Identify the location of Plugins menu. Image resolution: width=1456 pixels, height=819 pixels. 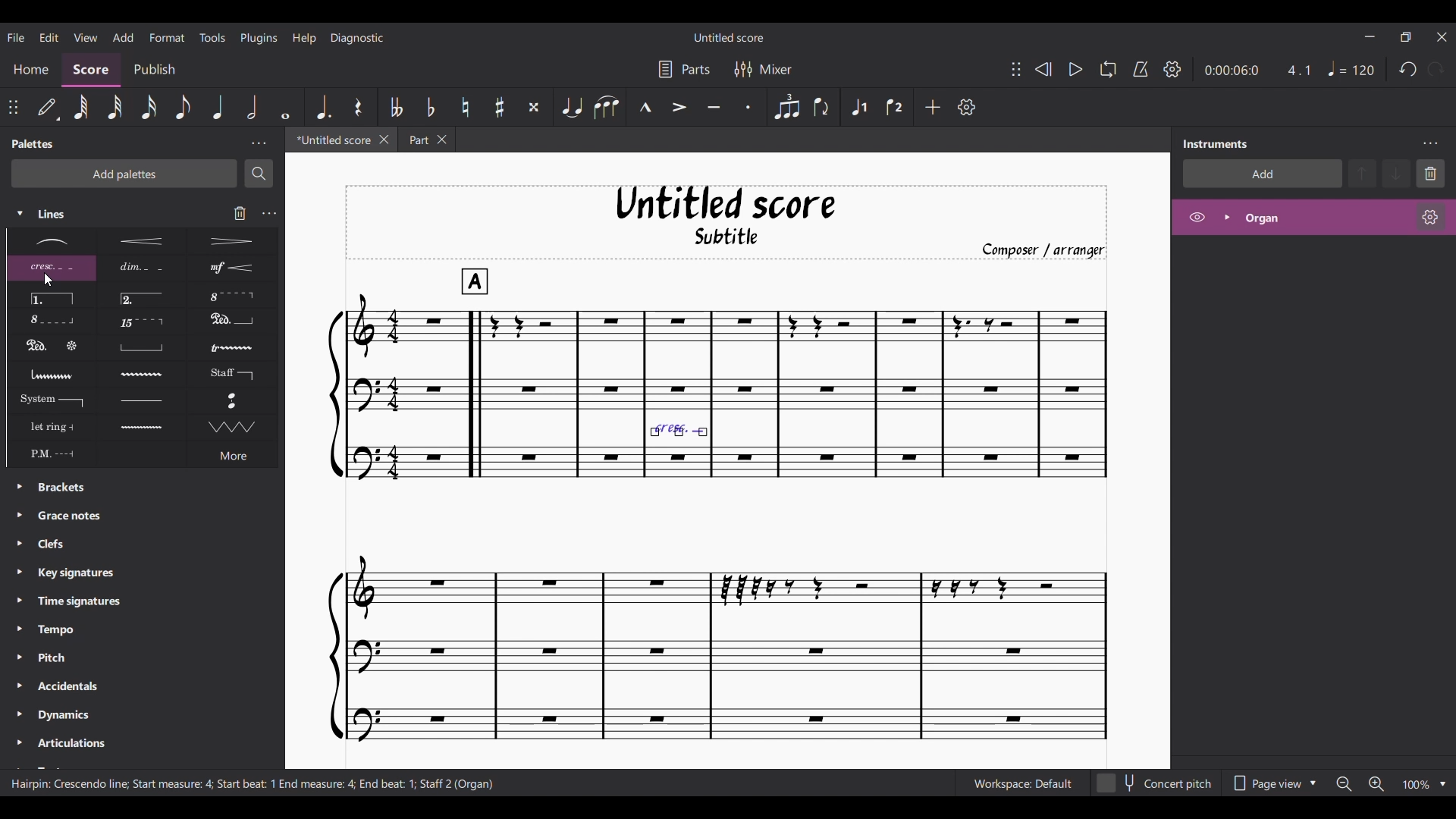
(259, 37).